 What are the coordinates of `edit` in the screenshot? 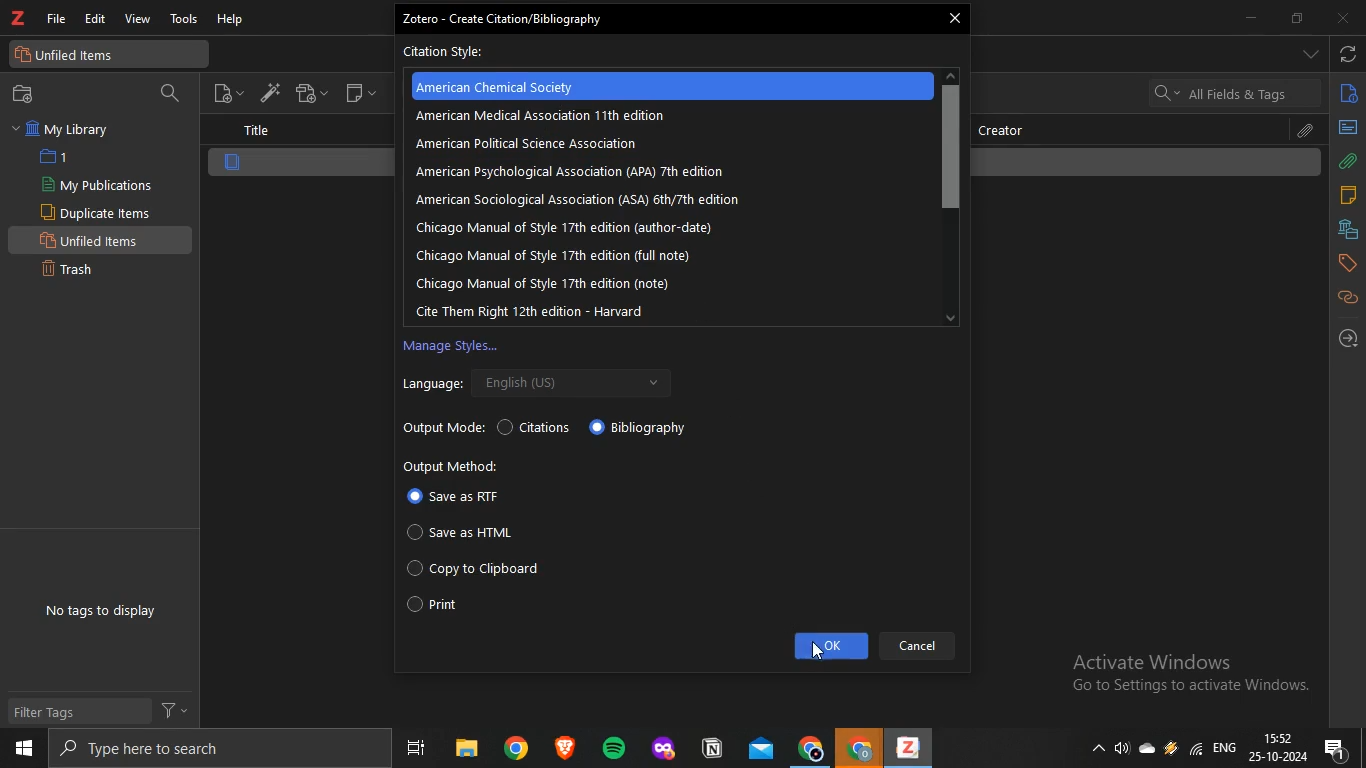 It's located at (95, 20).